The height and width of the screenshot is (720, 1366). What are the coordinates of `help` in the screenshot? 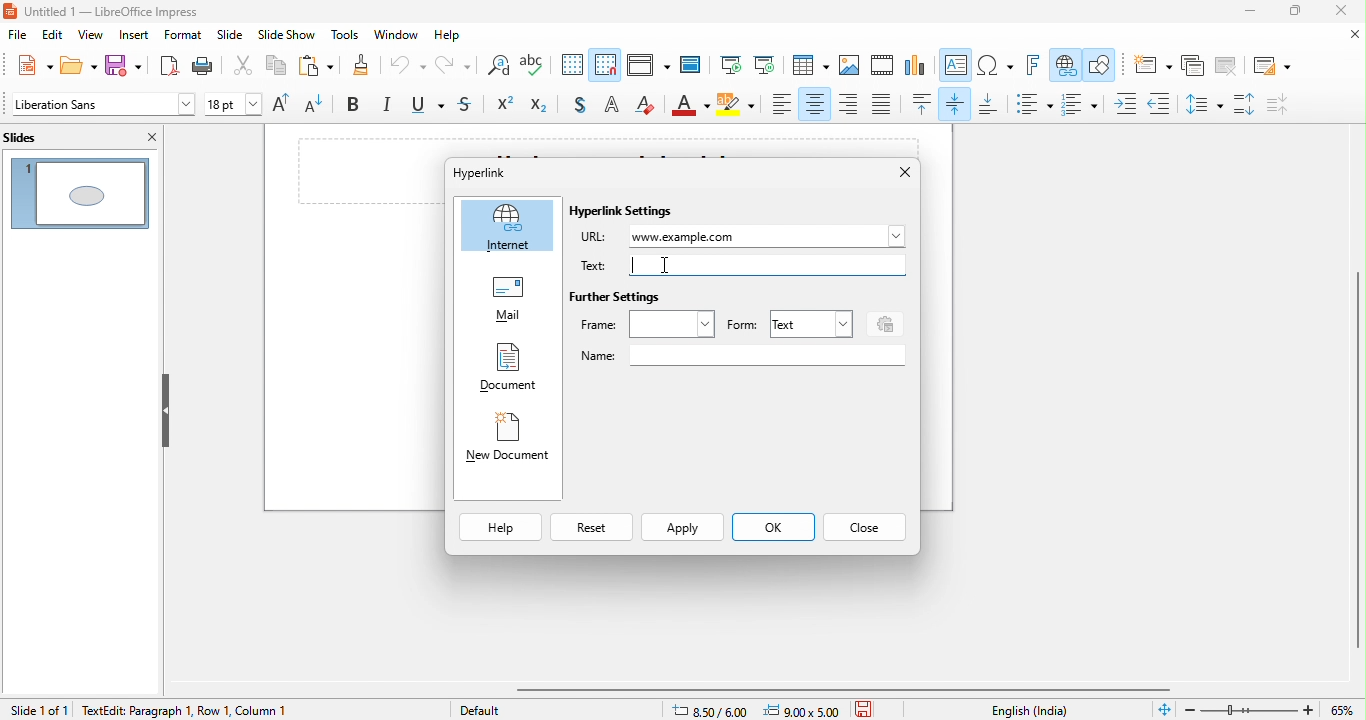 It's located at (501, 528).